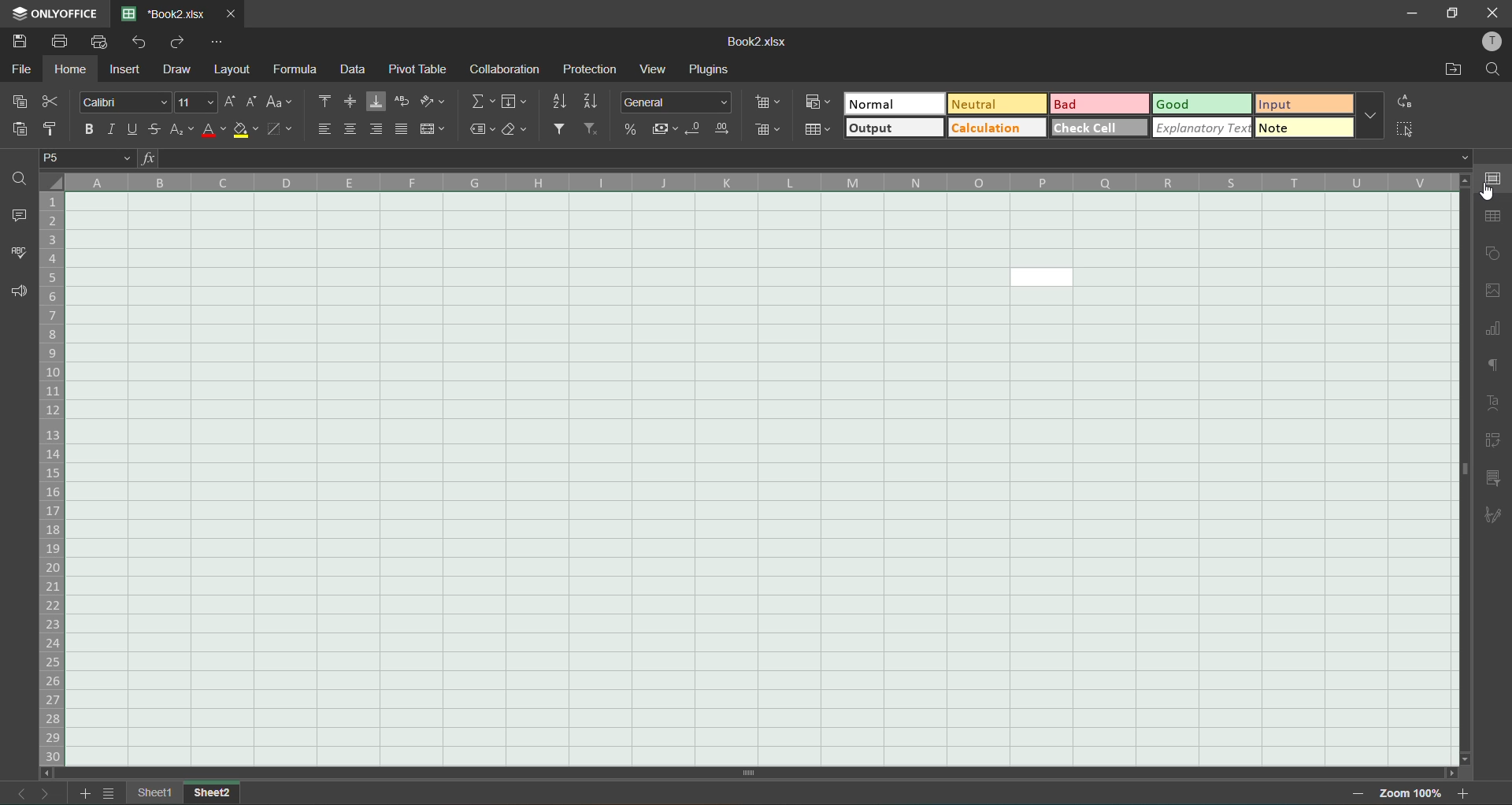 The height and width of the screenshot is (805, 1512). What do you see at coordinates (761, 43) in the screenshot?
I see `Book2.xlsx` at bounding box center [761, 43].